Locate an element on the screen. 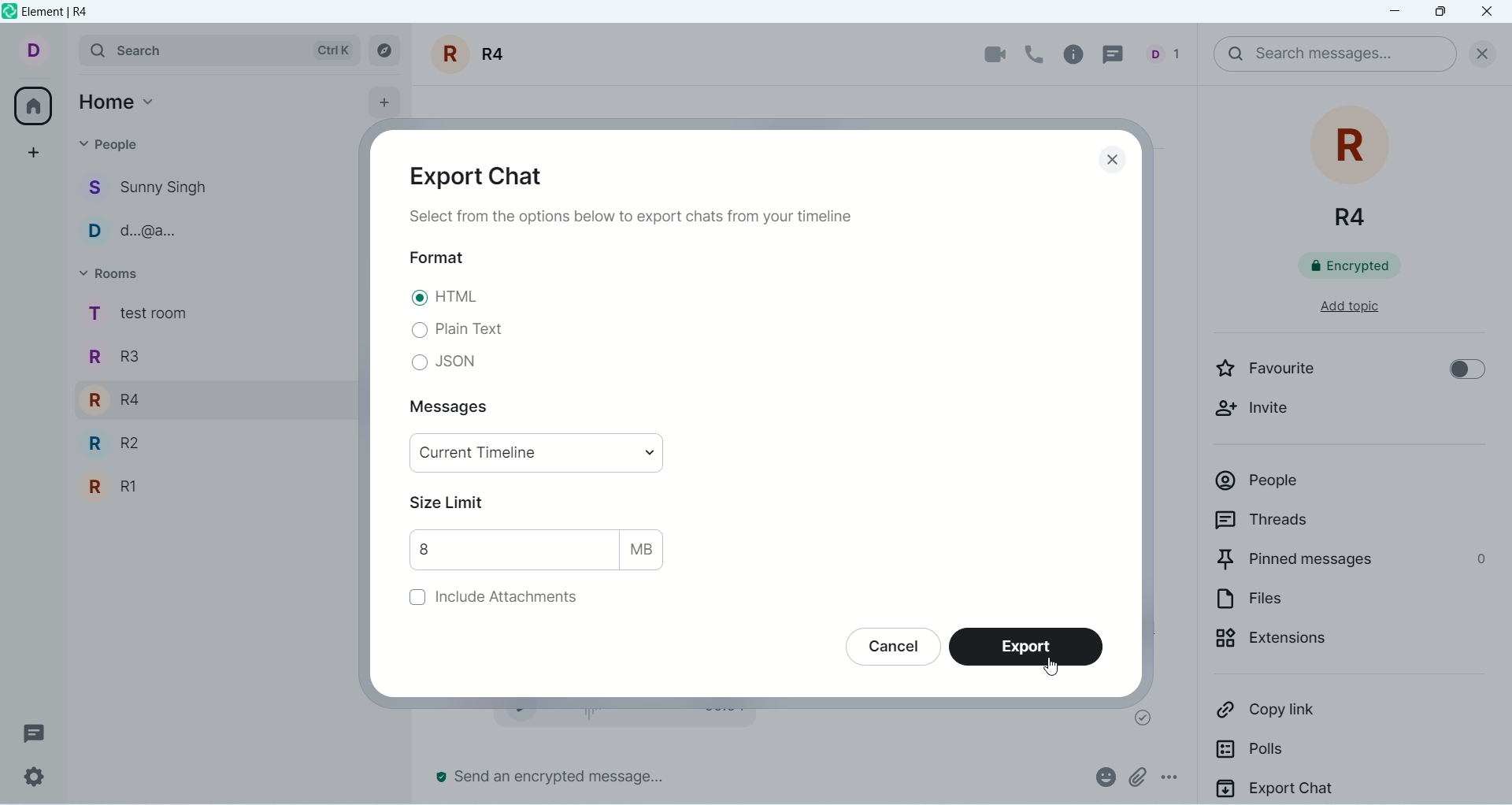 This screenshot has width=1512, height=805. HTML is located at coordinates (447, 299).